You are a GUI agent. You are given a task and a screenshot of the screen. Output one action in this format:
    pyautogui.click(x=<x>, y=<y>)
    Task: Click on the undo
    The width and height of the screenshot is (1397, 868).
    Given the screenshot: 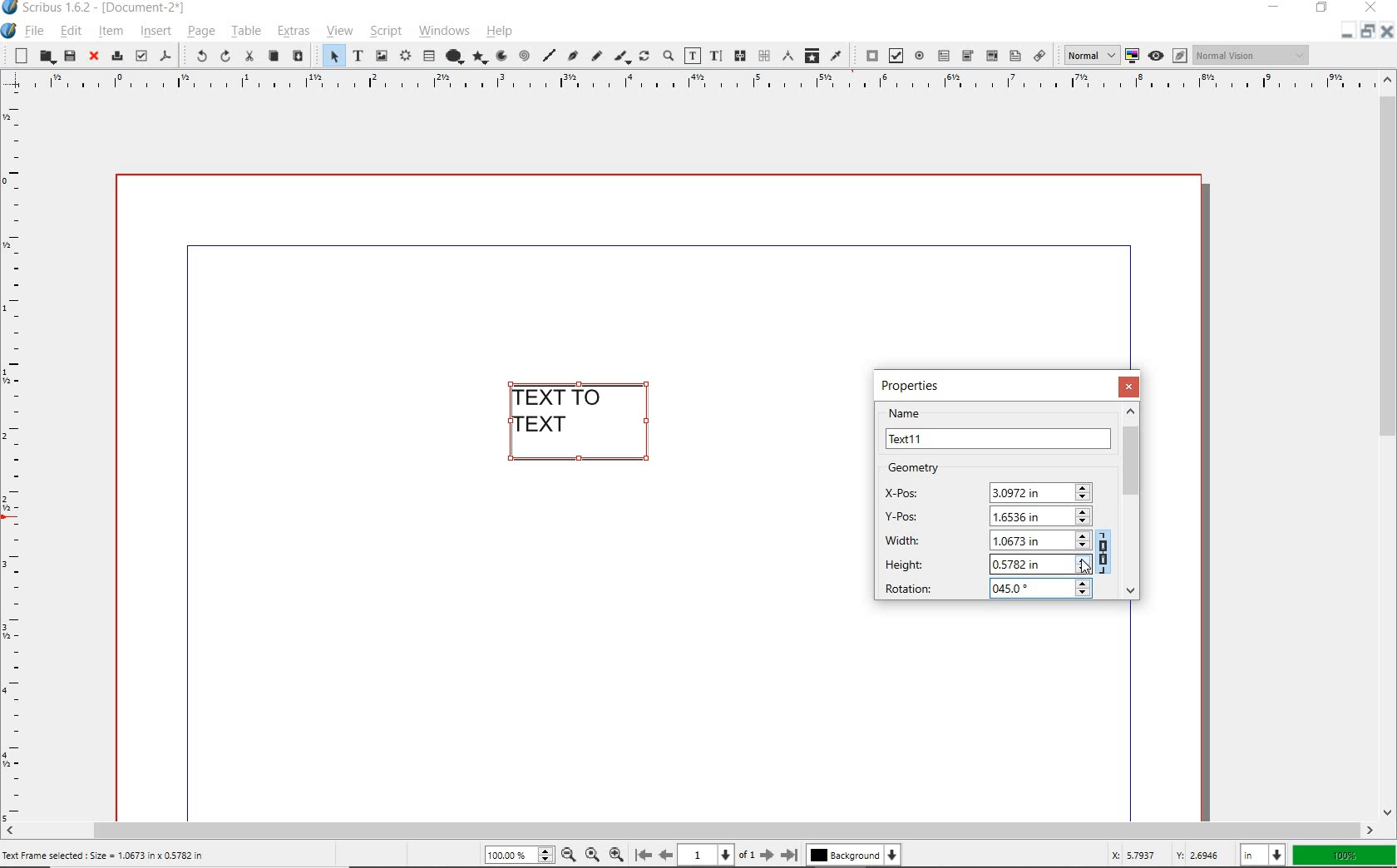 What is the action you would take?
    pyautogui.click(x=195, y=57)
    